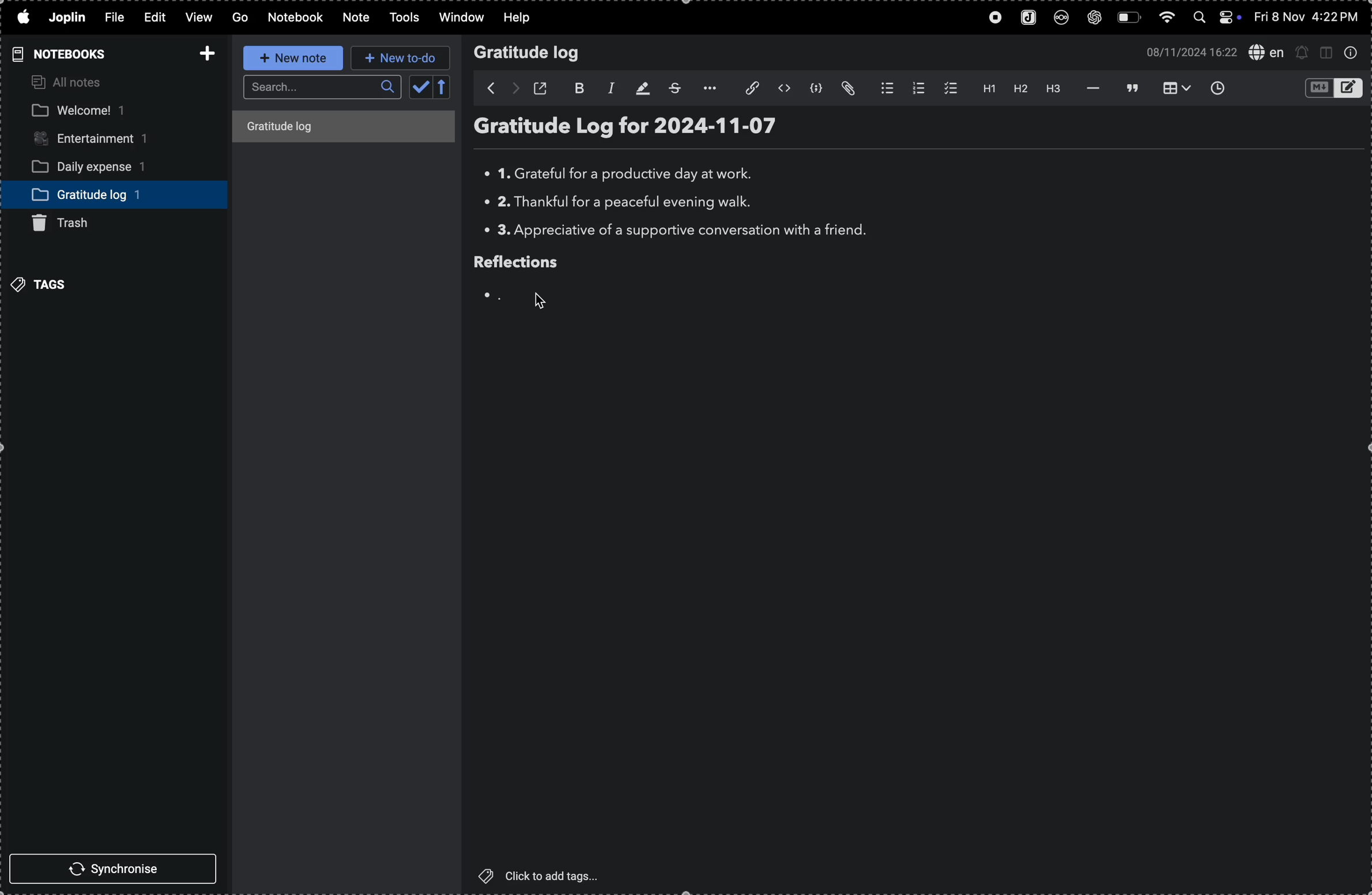 Image resolution: width=1372 pixels, height=895 pixels. What do you see at coordinates (748, 87) in the screenshot?
I see `insert link` at bounding box center [748, 87].